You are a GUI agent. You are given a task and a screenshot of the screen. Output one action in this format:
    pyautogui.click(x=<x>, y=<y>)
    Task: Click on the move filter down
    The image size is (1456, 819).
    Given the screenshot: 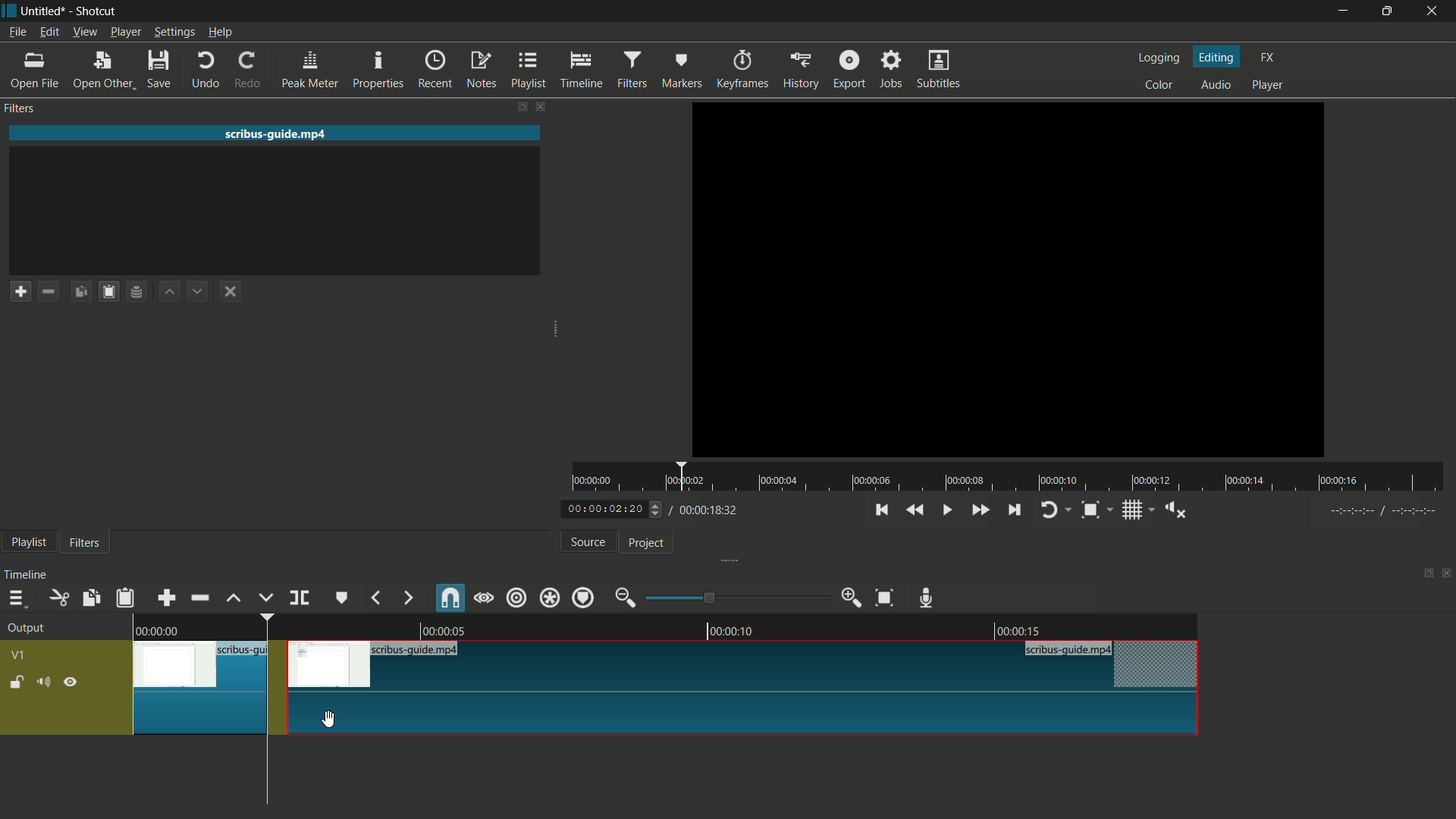 What is the action you would take?
    pyautogui.click(x=199, y=291)
    